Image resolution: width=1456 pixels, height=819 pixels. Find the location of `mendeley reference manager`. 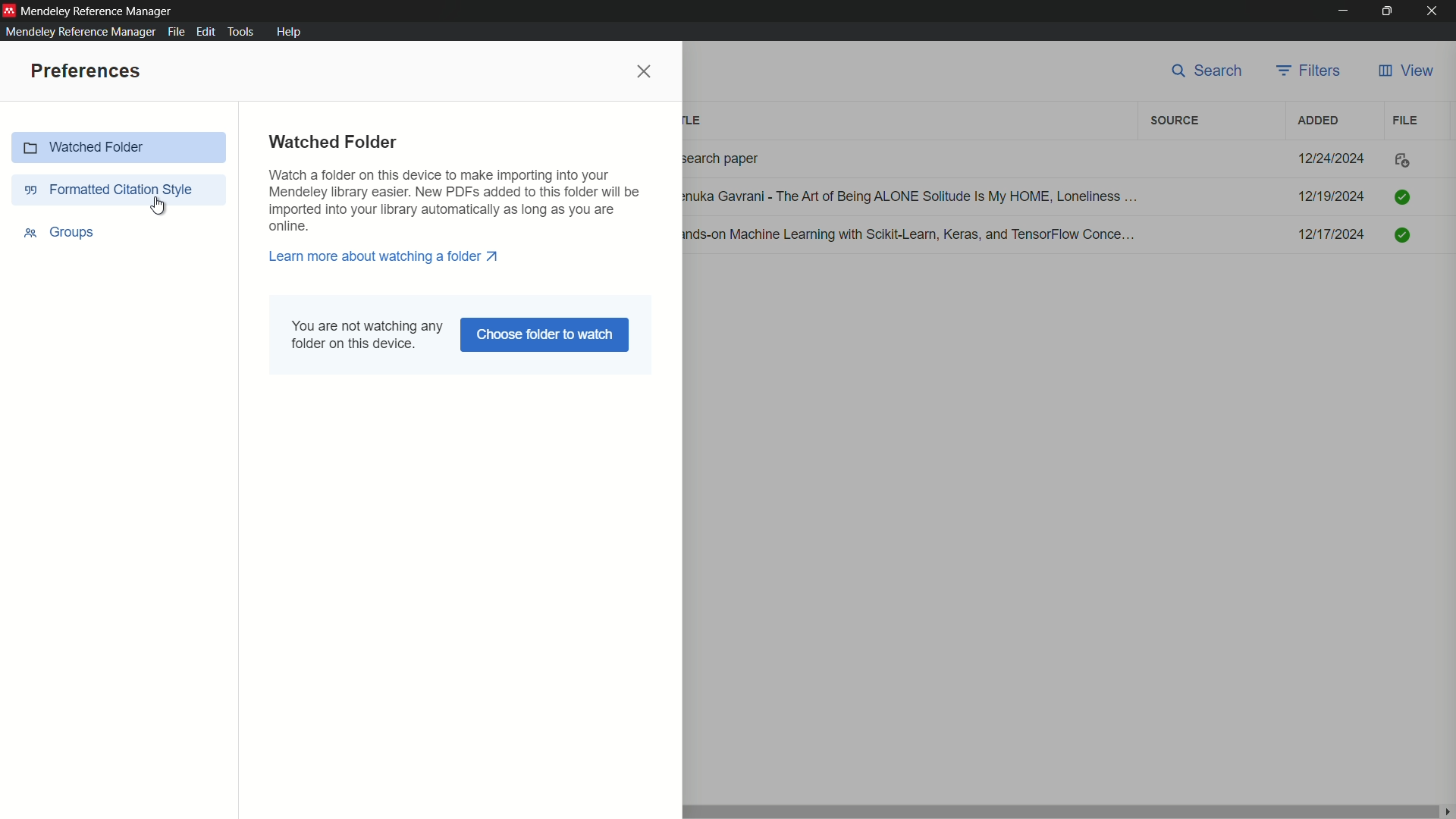

mendeley reference manager is located at coordinates (78, 31).